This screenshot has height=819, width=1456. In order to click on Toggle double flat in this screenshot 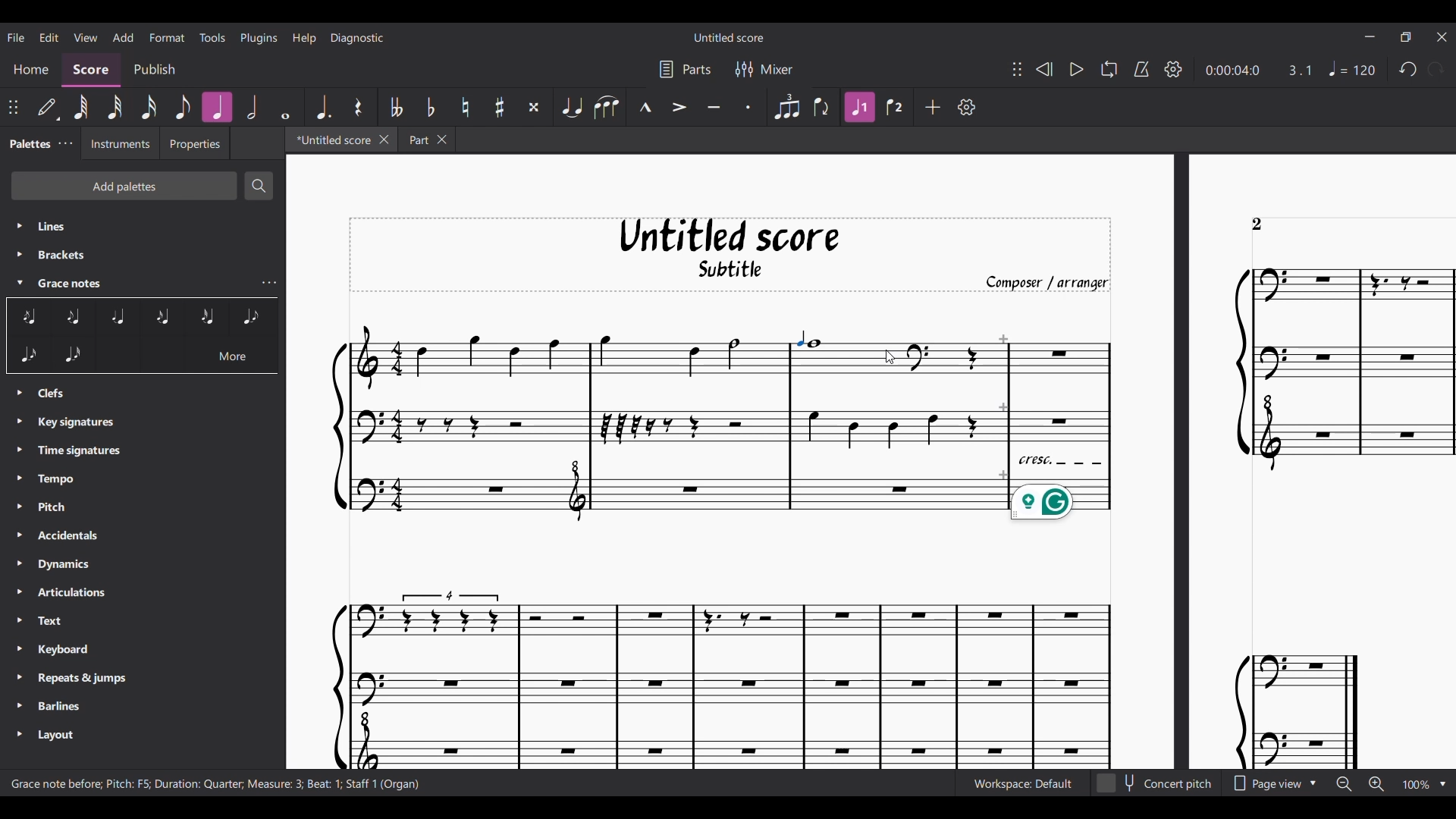, I will do `click(395, 107)`.